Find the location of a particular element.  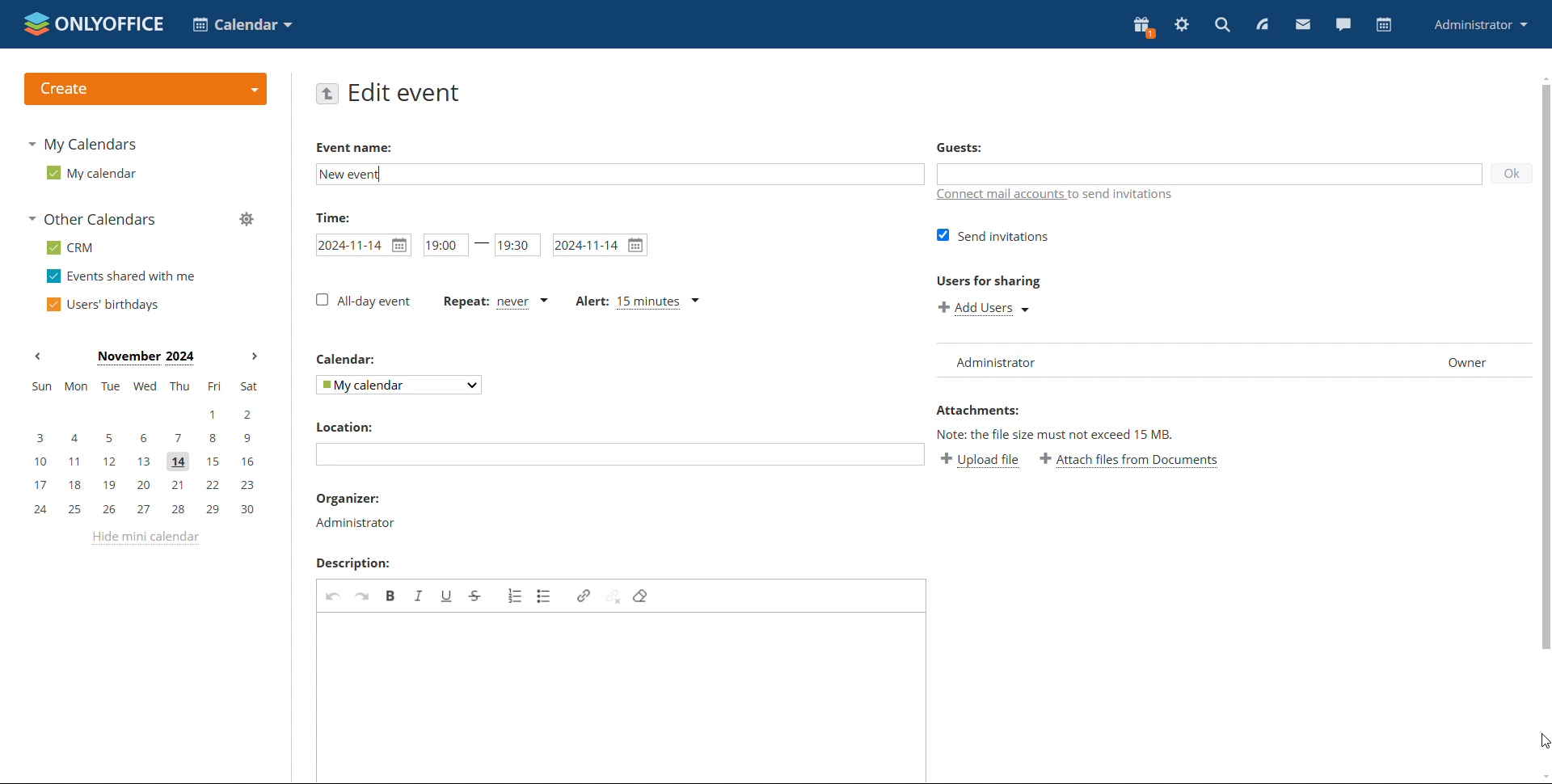

next month is located at coordinates (255, 357).